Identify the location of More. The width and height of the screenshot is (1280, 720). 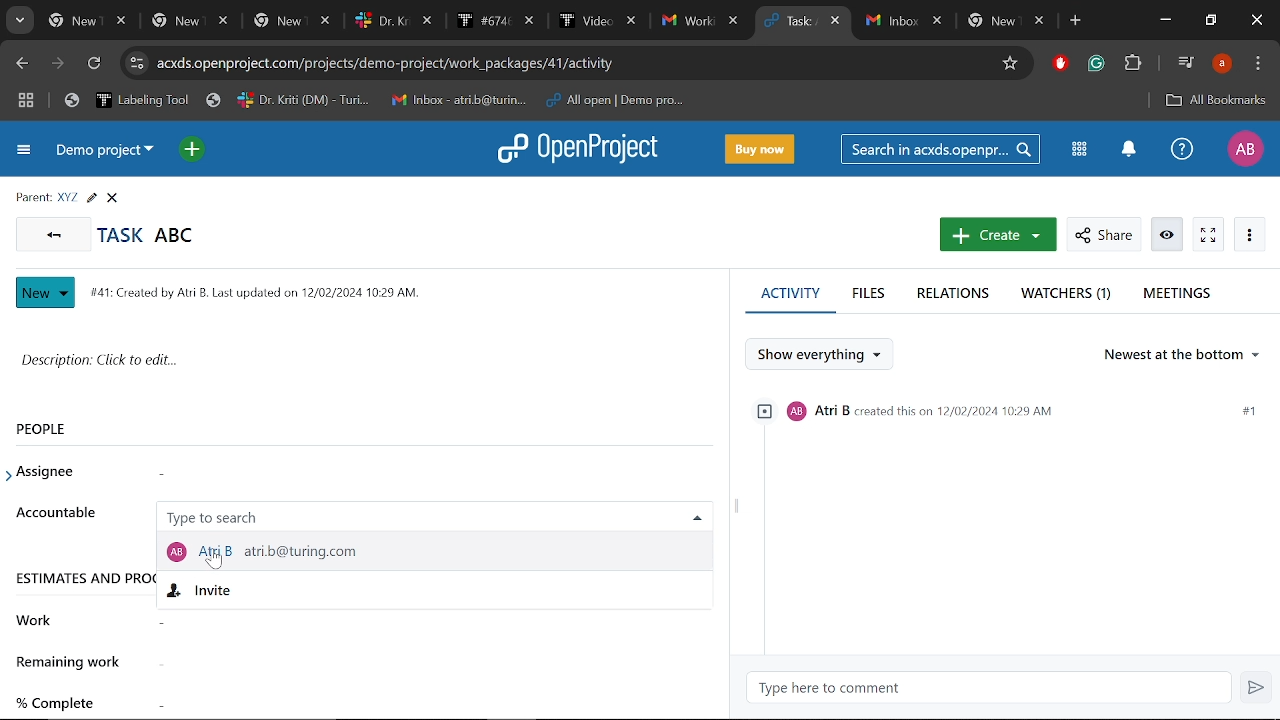
(1250, 233).